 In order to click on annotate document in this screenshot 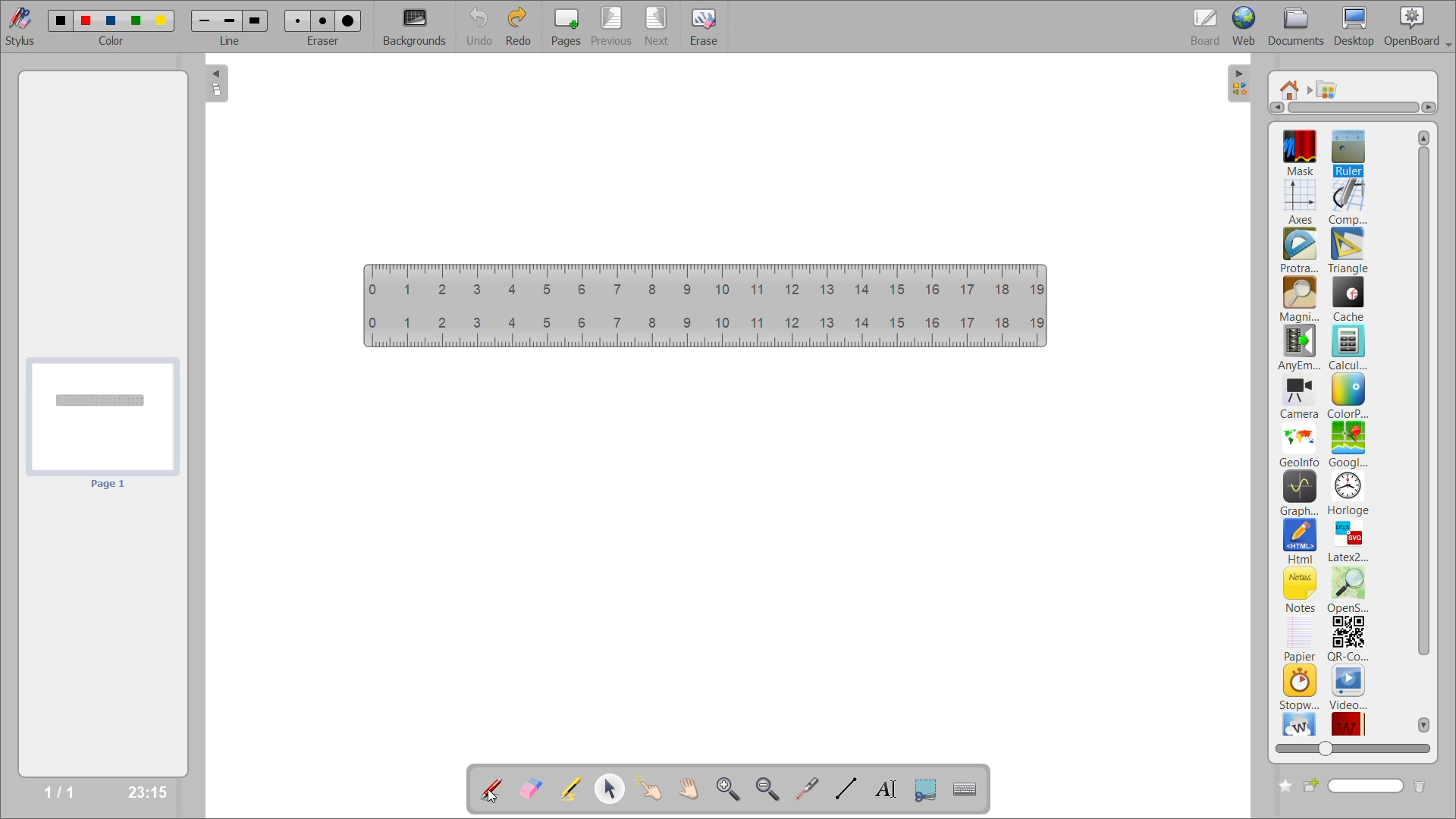, I will do `click(487, 789)`.